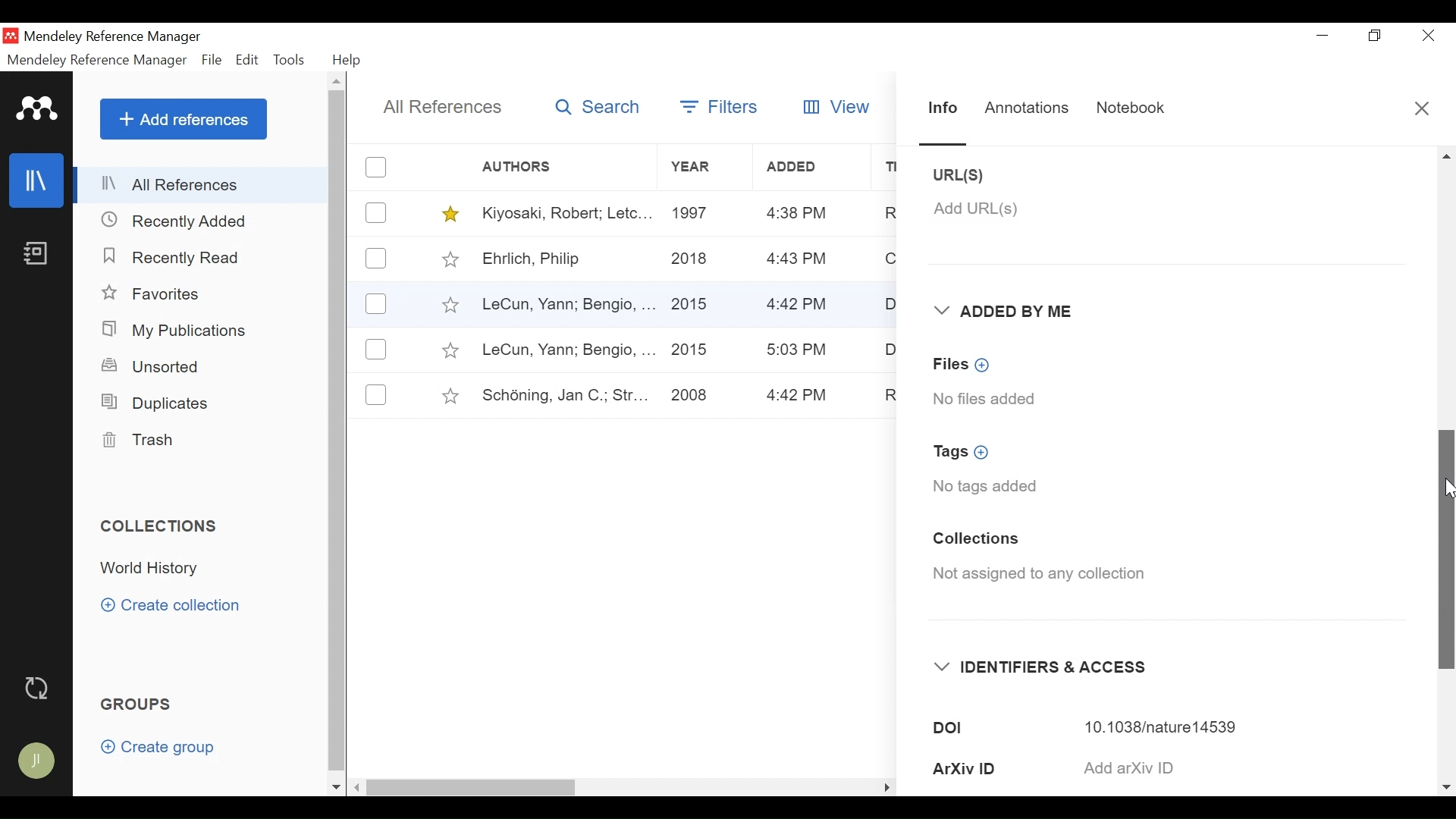 The height and width of the screenshot is (819, 1456). I want to click on Ehrlich, Philip, so click(566, 260).